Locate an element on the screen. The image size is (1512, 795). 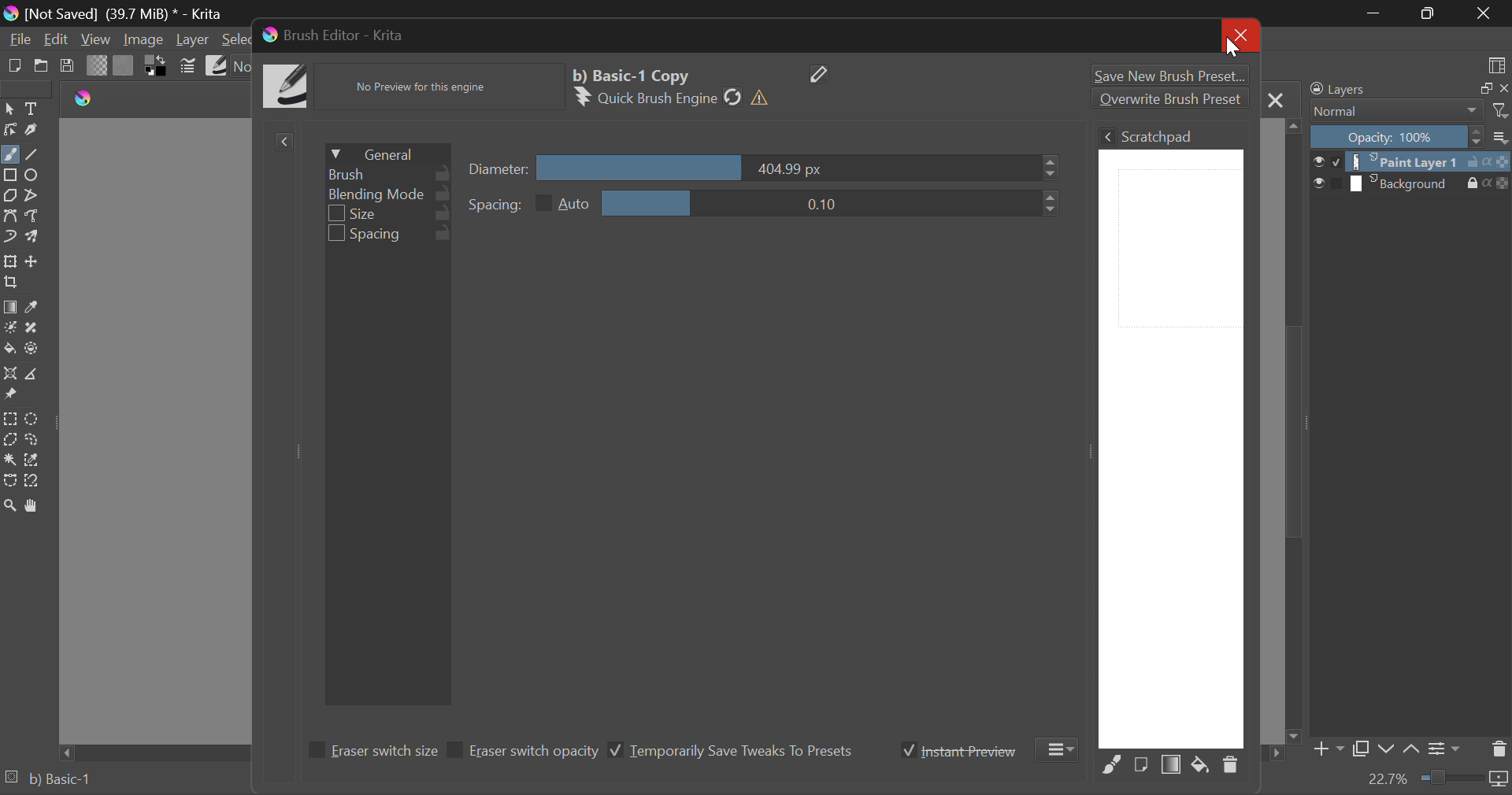
Magnetic Selection is located at coordinates (33, 482).